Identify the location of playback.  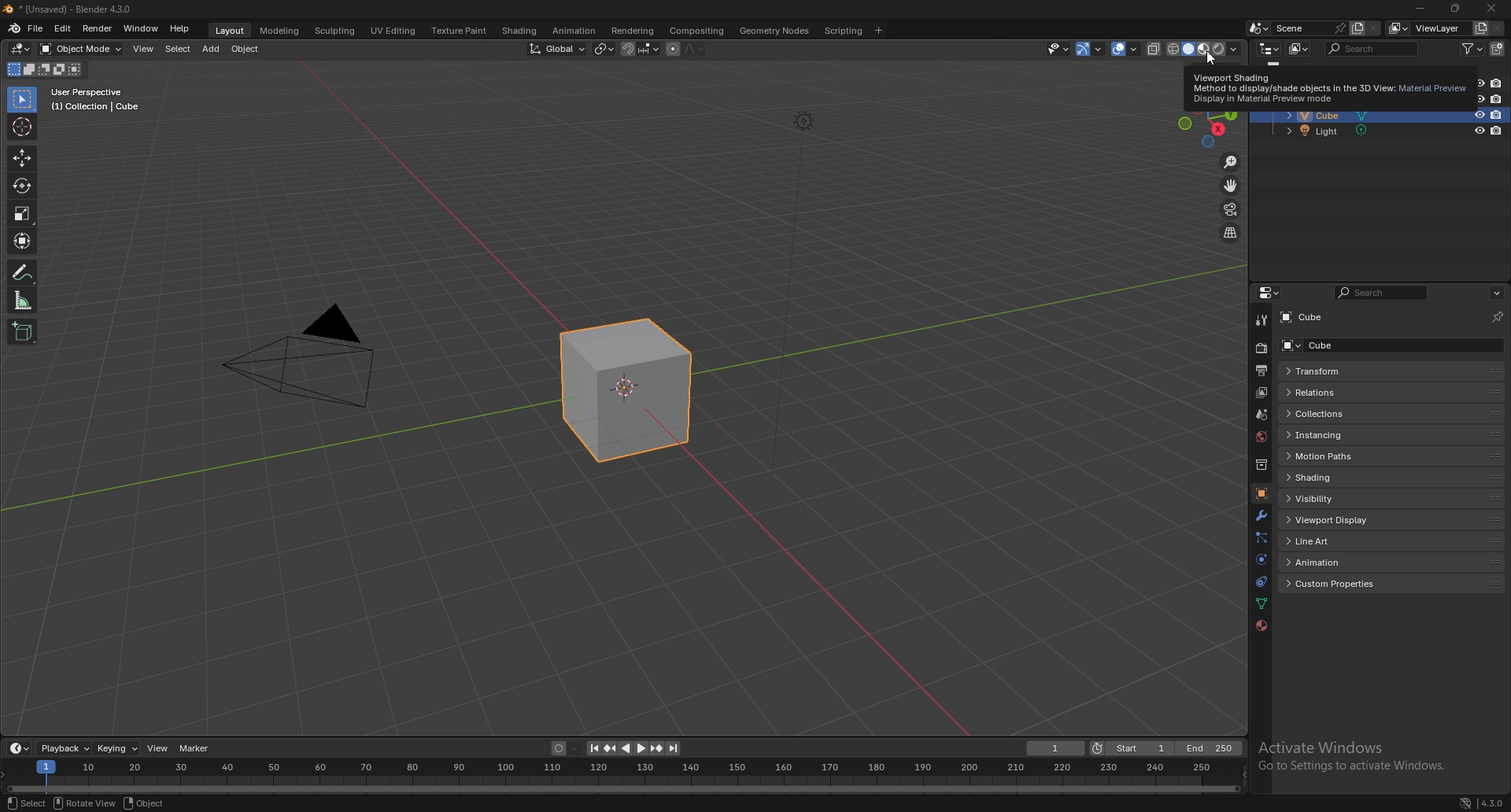
(67, 748).